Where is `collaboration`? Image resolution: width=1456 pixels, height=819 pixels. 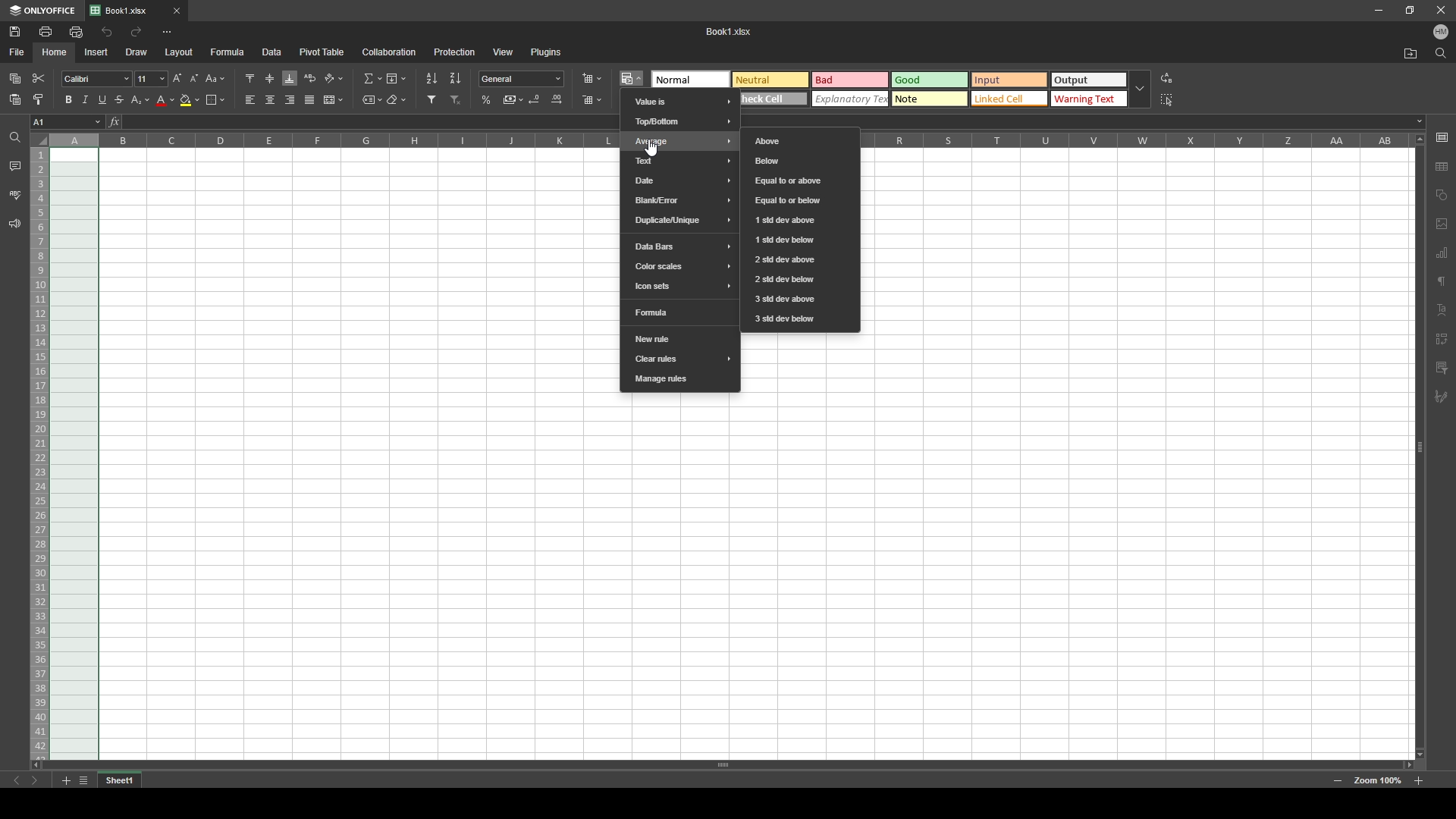
collaboration is located at coordinates (389, 52).